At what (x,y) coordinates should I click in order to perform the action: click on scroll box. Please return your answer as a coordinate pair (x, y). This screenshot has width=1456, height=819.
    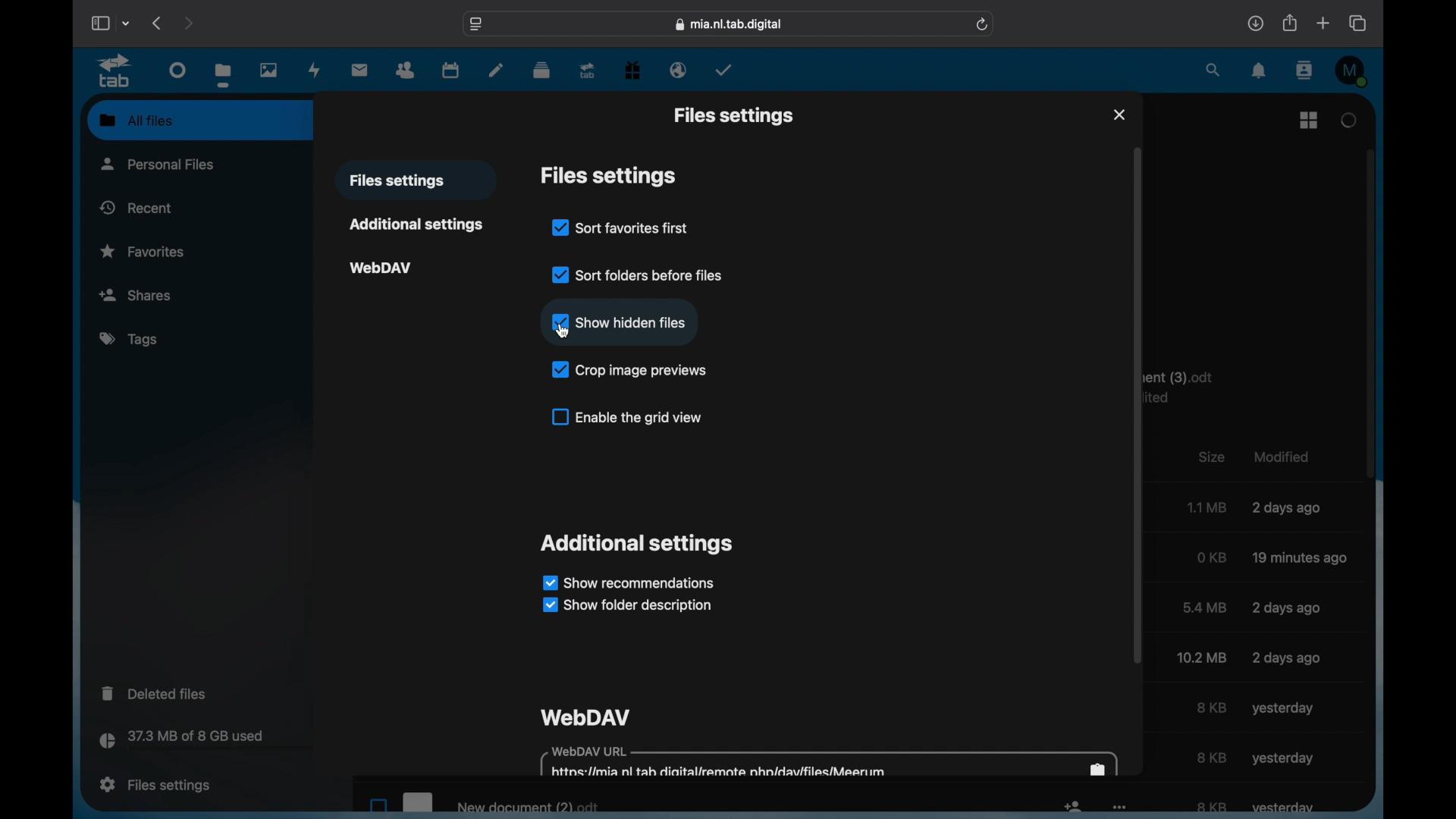
    Looking at the image, I should click on (1138, 406).